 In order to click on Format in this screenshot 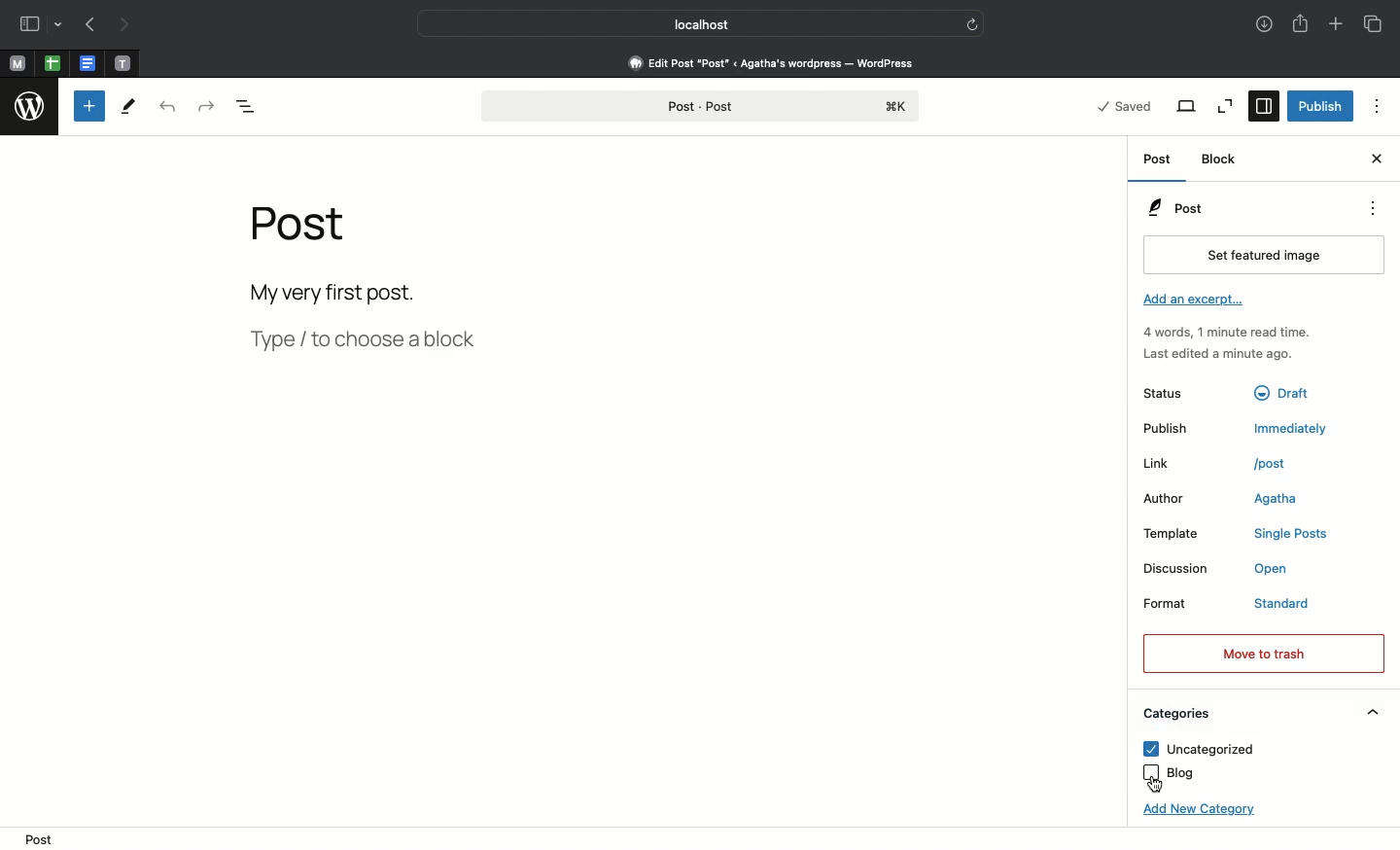, I will do `click(1182, 607)`.